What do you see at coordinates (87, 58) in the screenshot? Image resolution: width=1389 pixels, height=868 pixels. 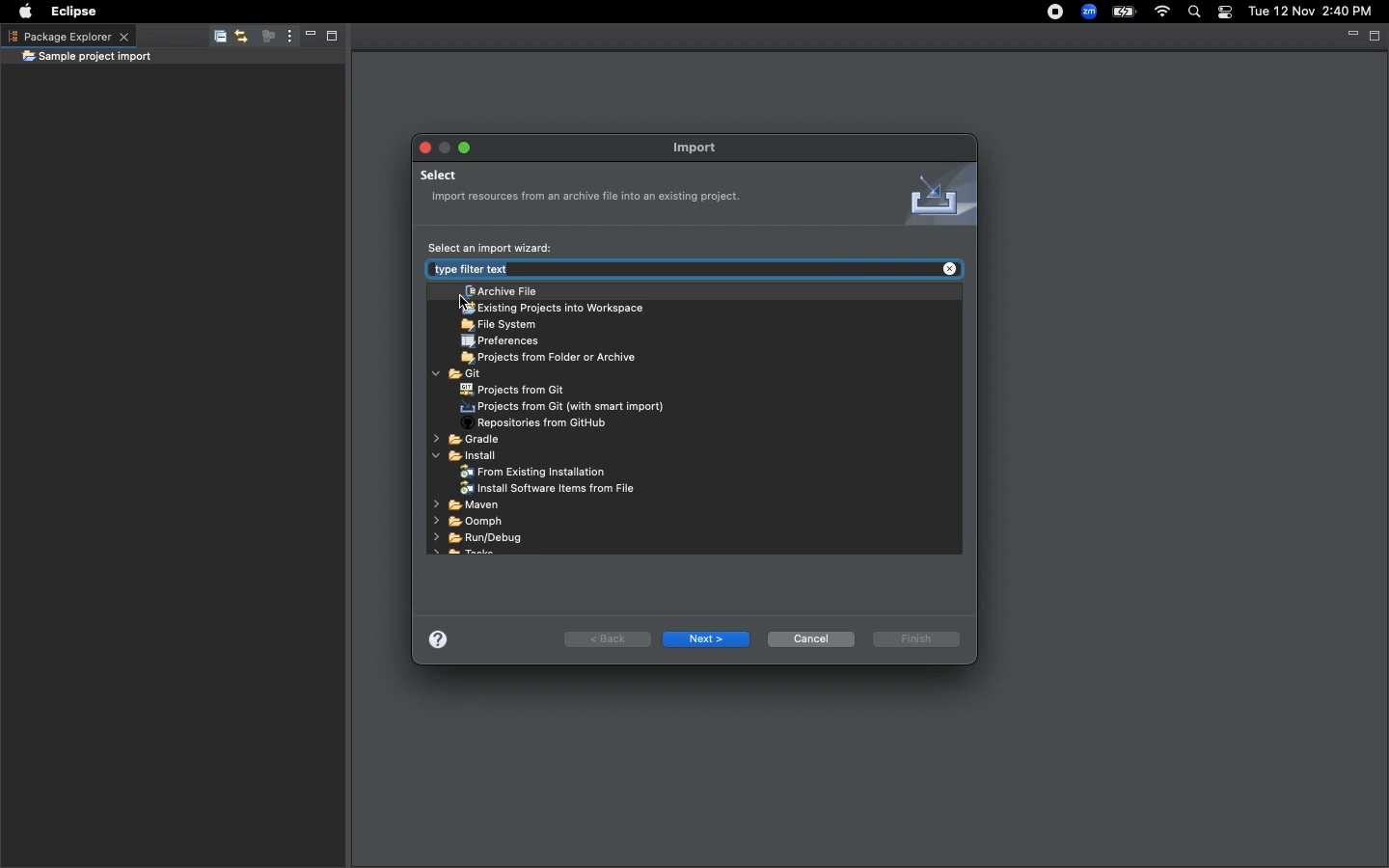 I see `Folder` at bounding box center [87, 58].